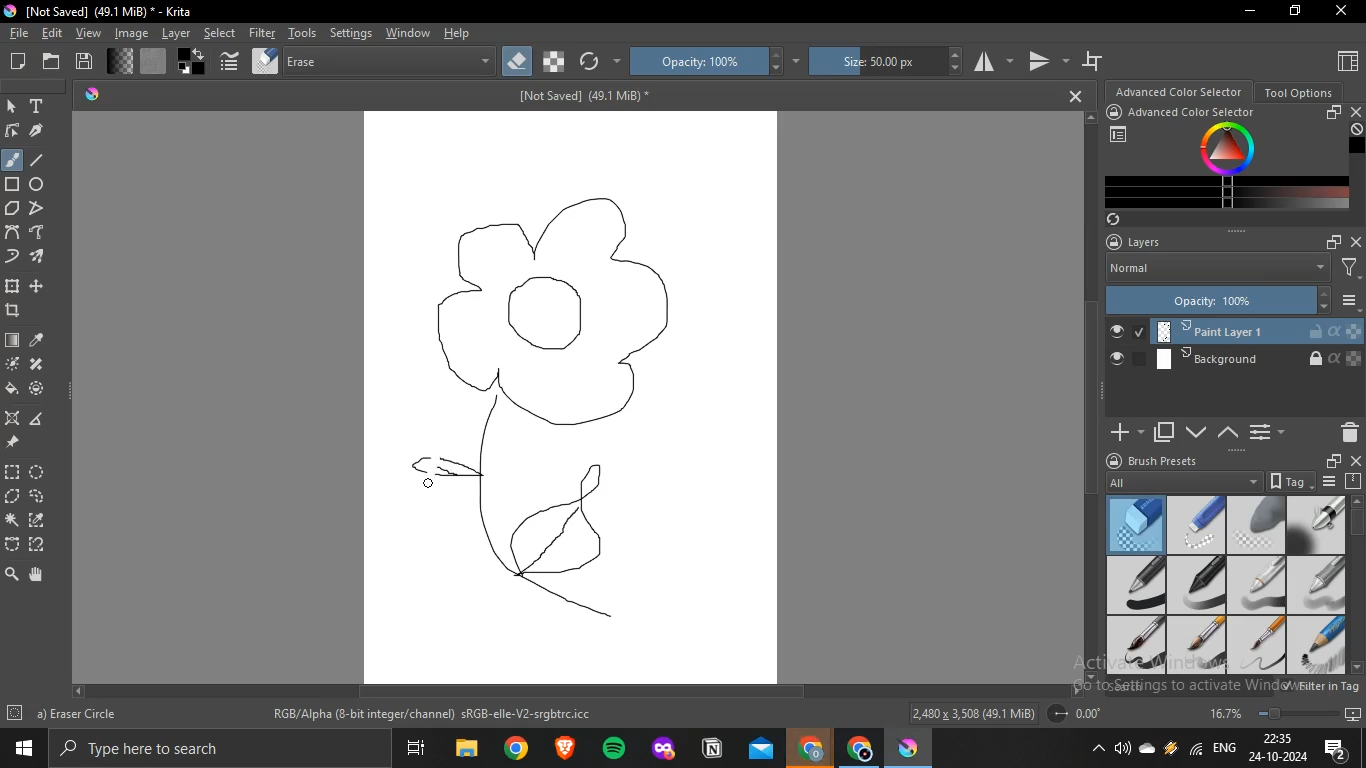 This screenshot has width=1366, height=768. What do you see at coordinates (1124, 748) in the screenshot?
I see `Sound` at bounding box center [1124, 748].